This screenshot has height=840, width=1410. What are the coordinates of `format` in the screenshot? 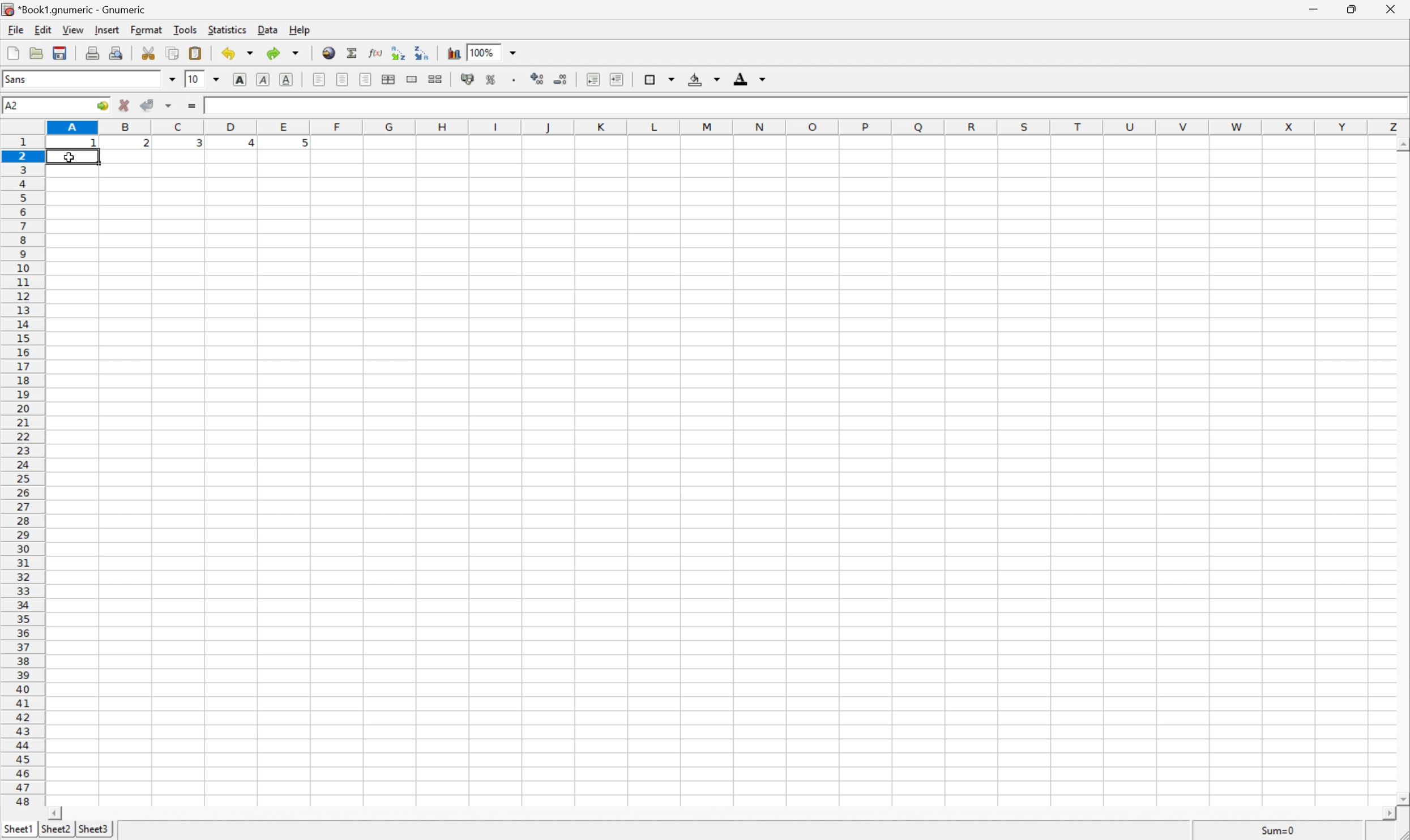 It's located at (144, 30).